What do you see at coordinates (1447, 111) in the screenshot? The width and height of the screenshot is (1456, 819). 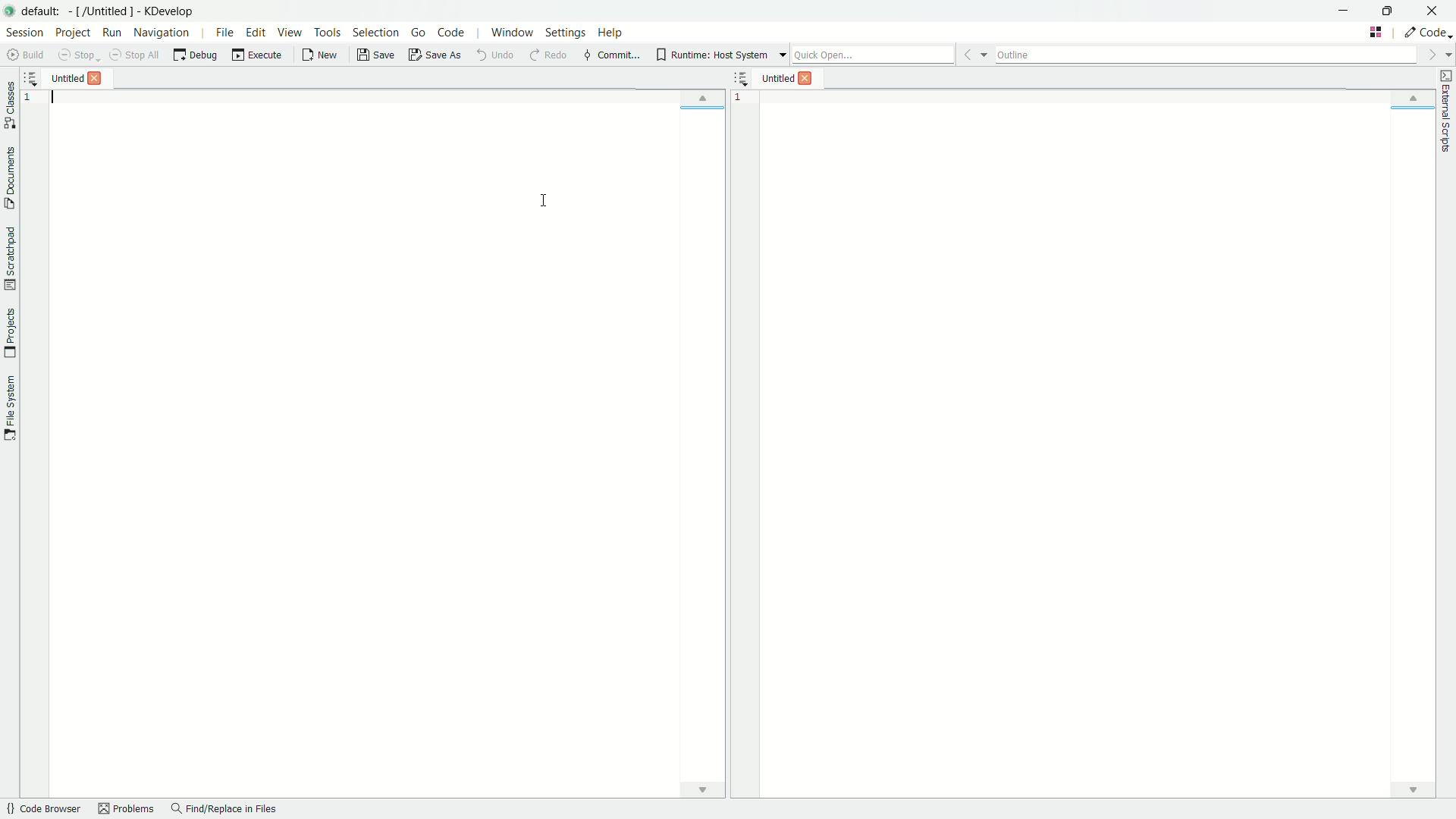 I see `external scripts` at bounding box center [1447, 111].